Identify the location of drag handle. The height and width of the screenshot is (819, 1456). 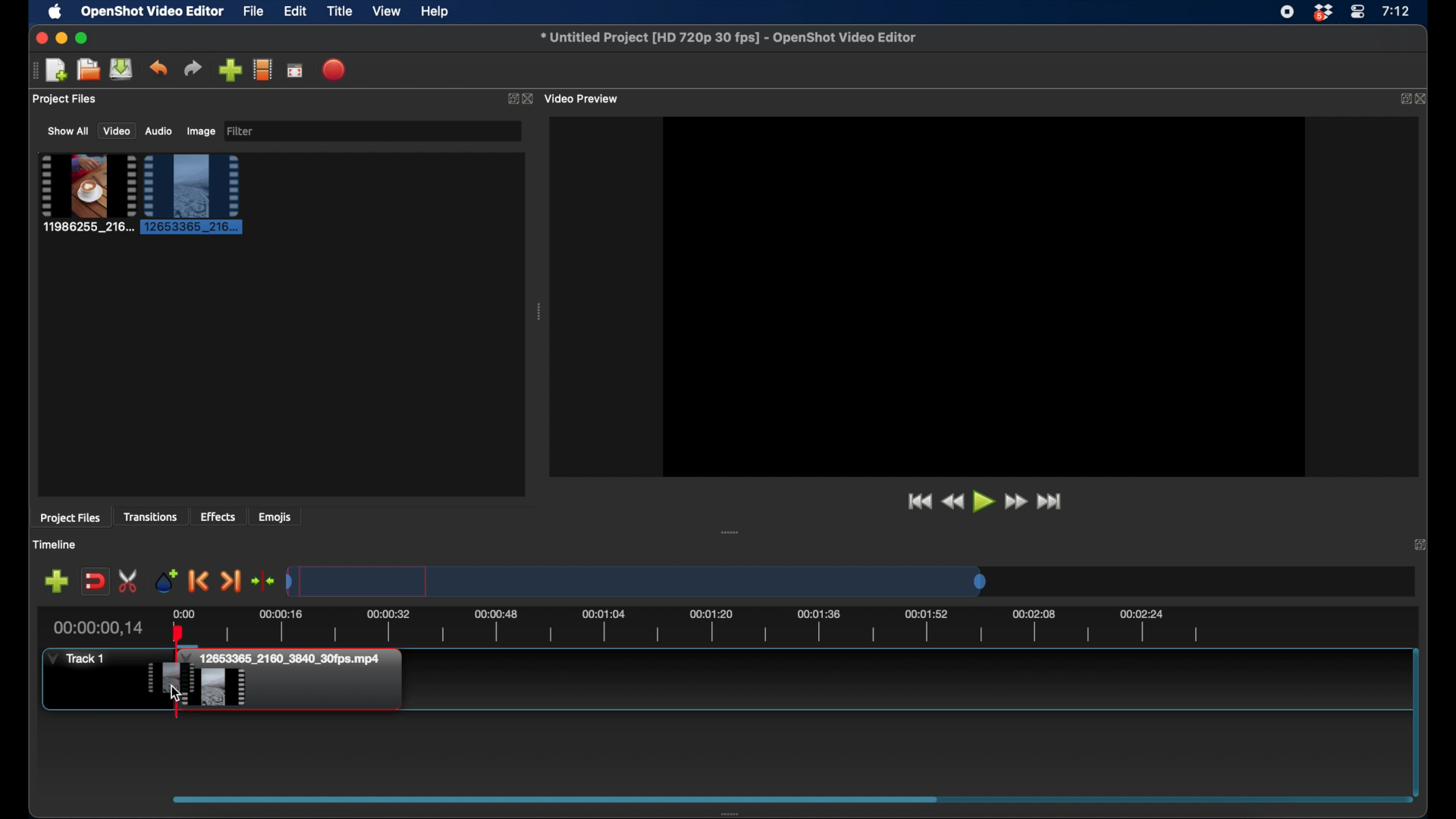
(733, 813).